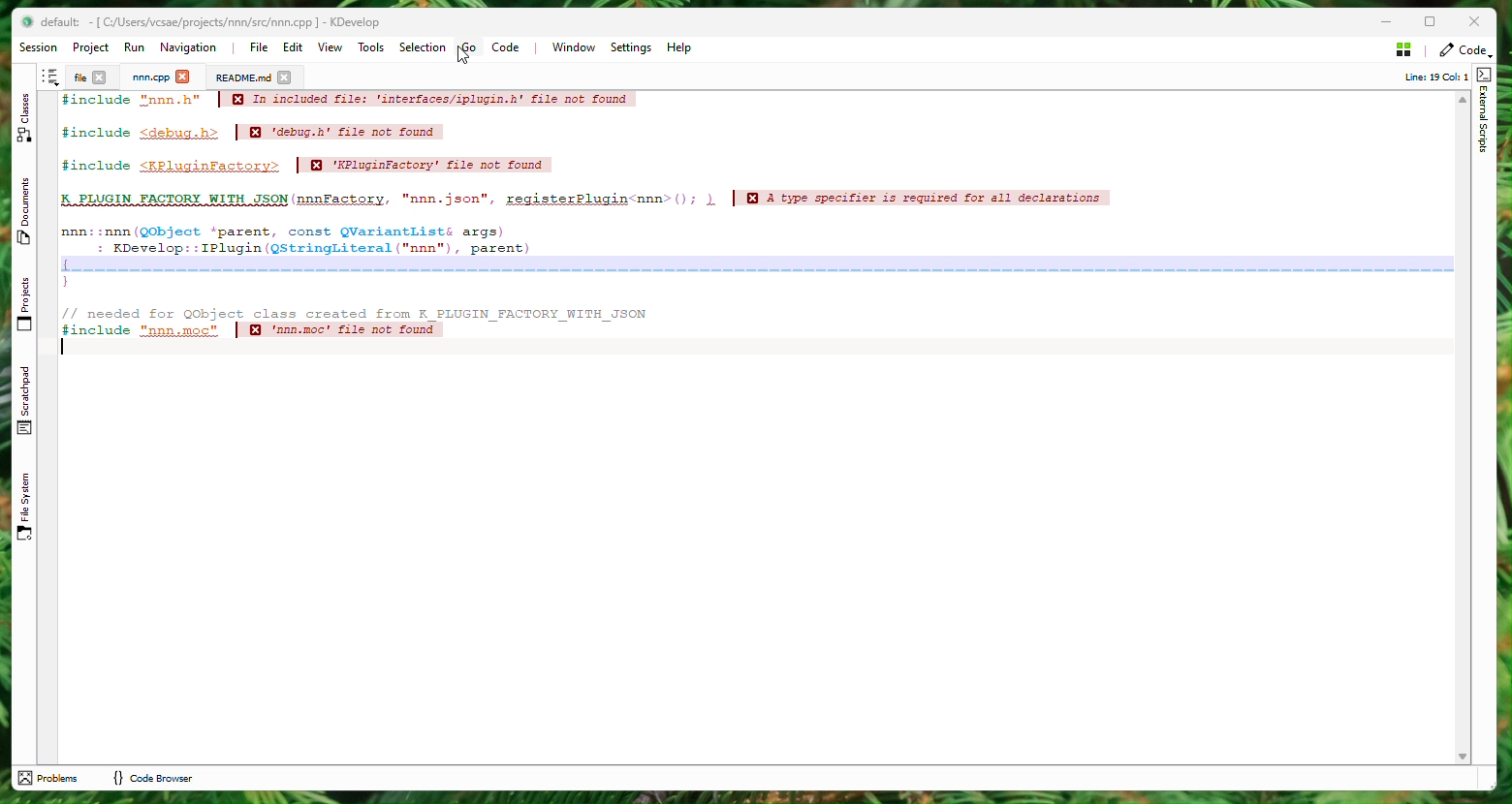  What do you see at coordinates (193, 48) in the screenshot?
I see `Navigation` at bounding box center [193, 48].